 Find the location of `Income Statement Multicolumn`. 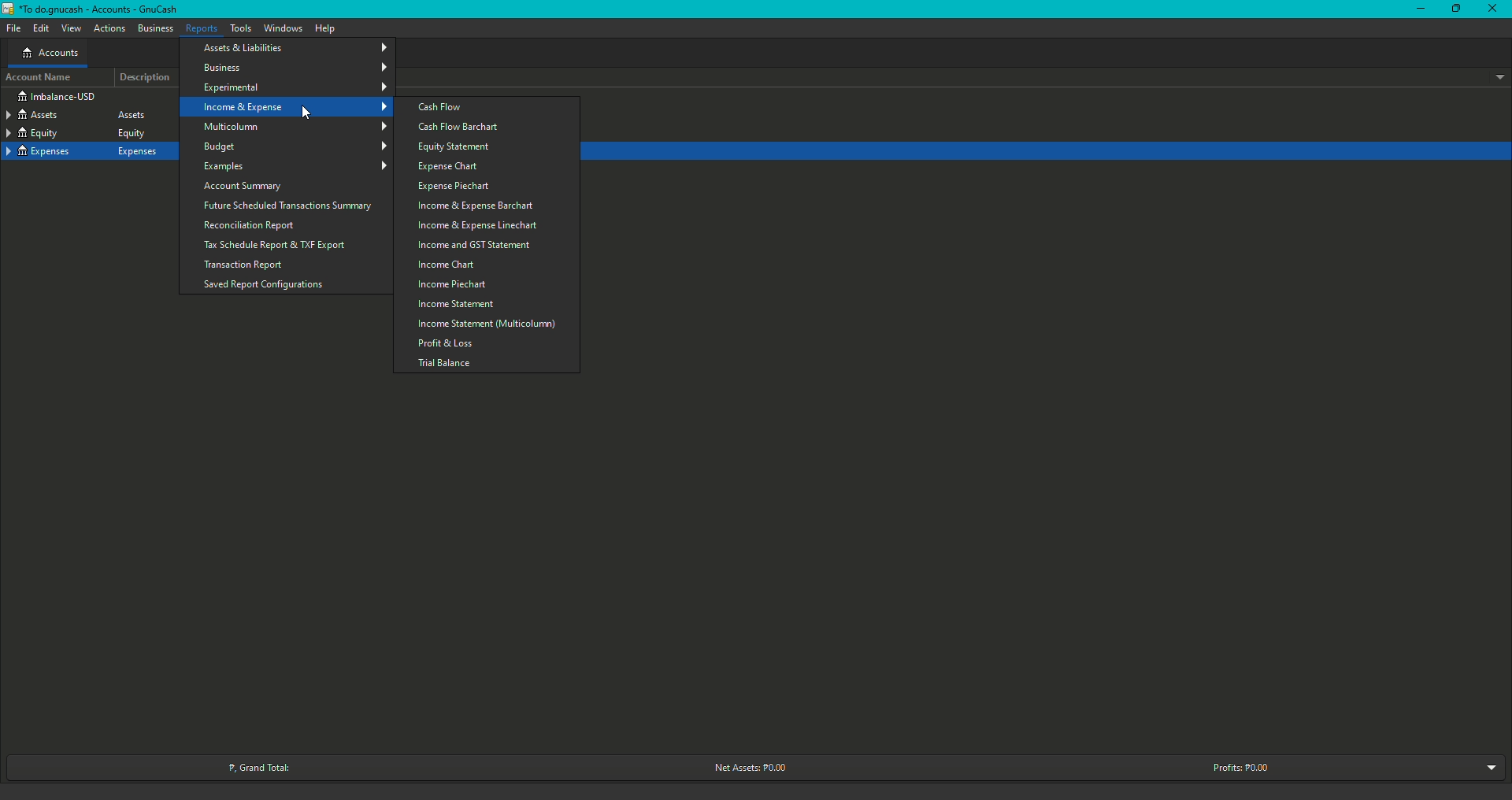

Income Statement Multicolumn is located at coordinates (484, 324).